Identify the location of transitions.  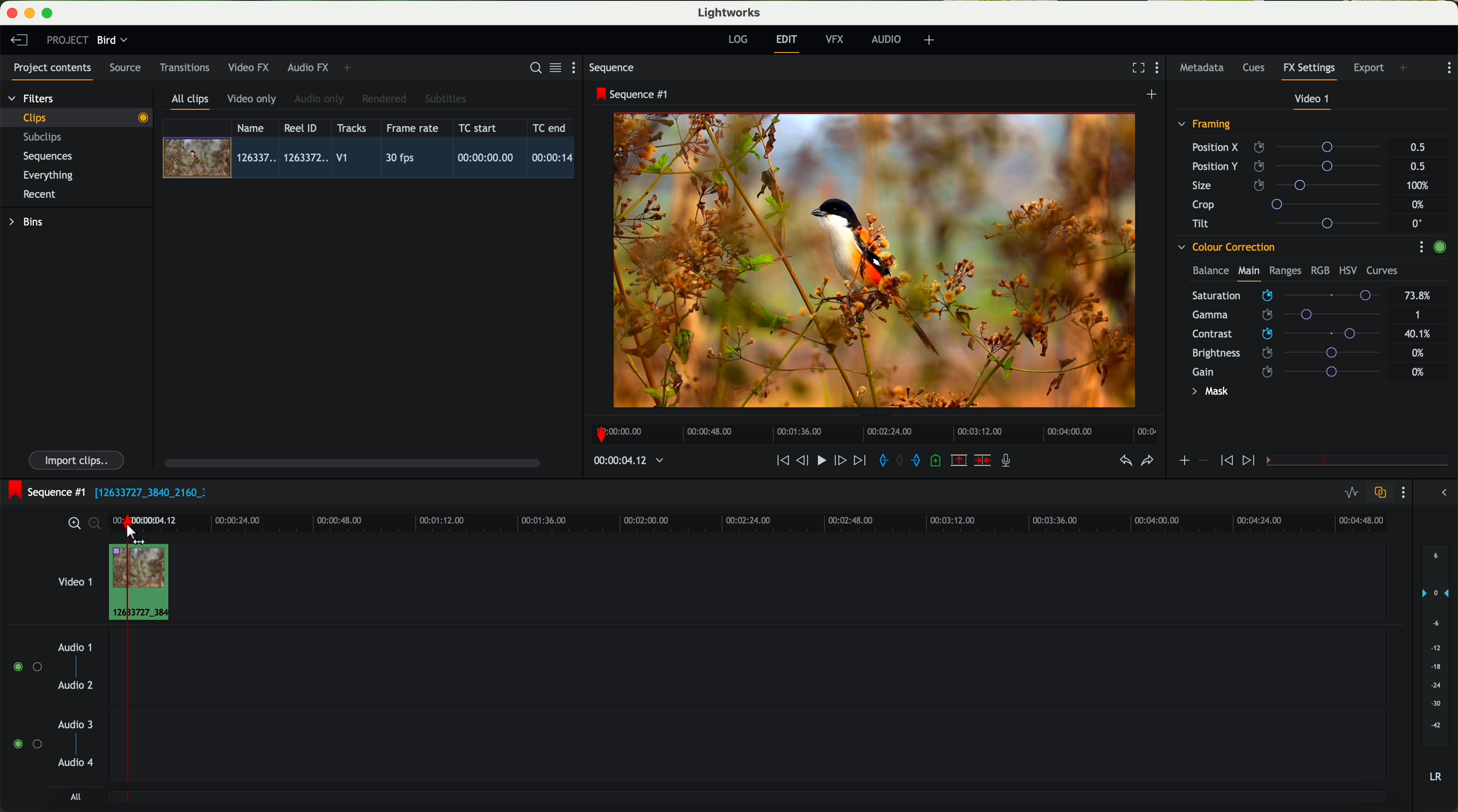
(184, 67).